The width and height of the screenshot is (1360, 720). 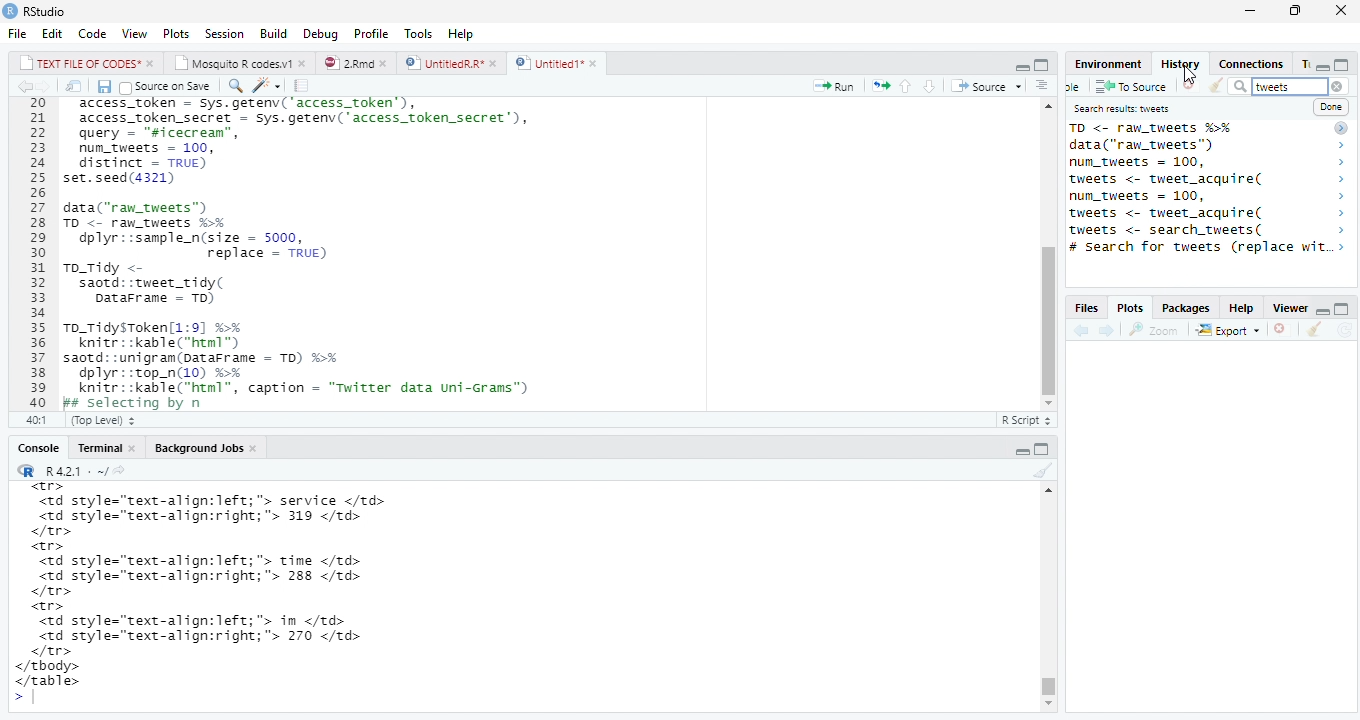 What do you see at coordinates (1093, 329) in the screenshot?
I see `forward/backward source location` at bounding box center [1093, 329].